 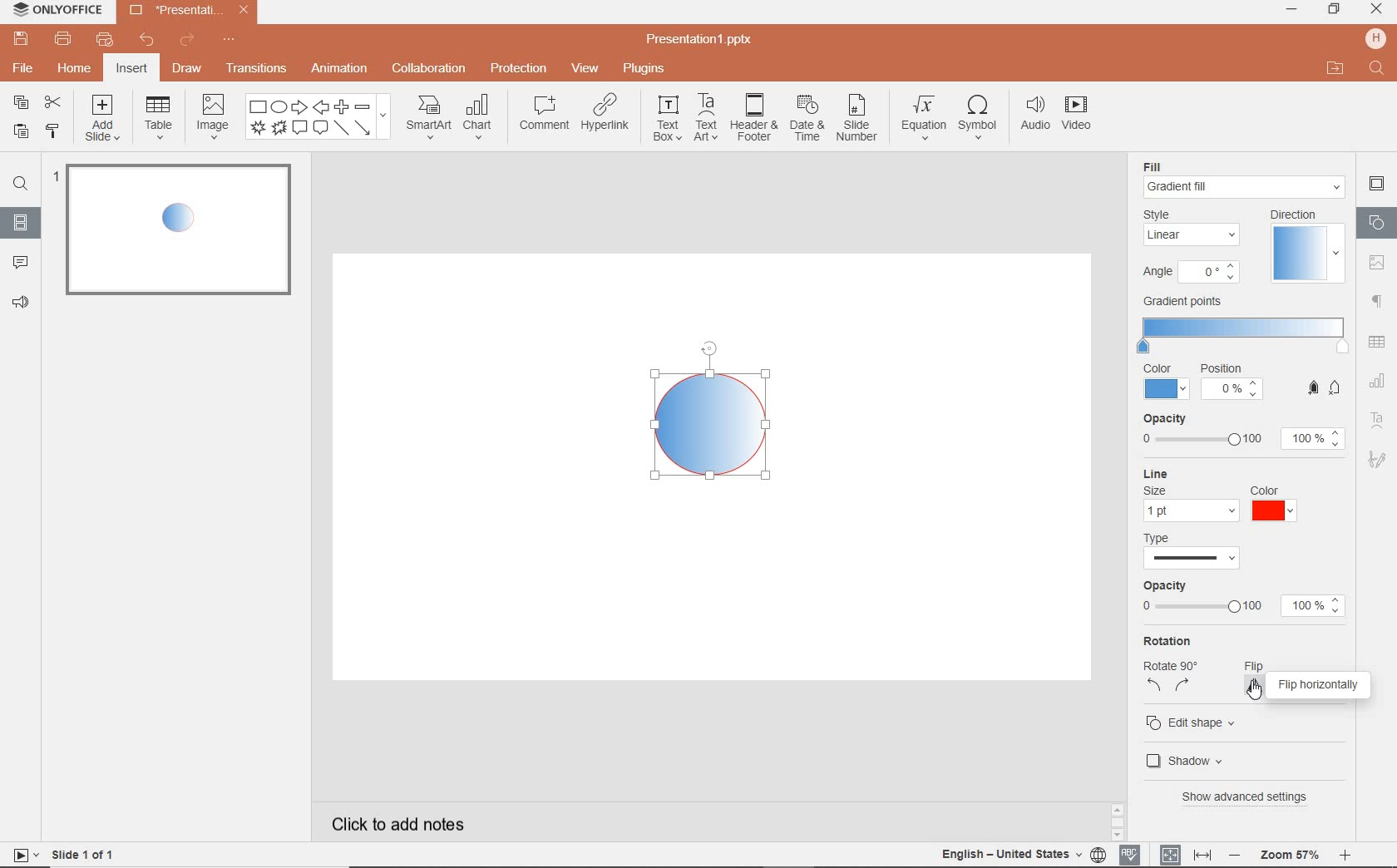 What do you see at coordinates (700, 41) in the screenshot?
I see `file name` at bounding box center [700, 41].